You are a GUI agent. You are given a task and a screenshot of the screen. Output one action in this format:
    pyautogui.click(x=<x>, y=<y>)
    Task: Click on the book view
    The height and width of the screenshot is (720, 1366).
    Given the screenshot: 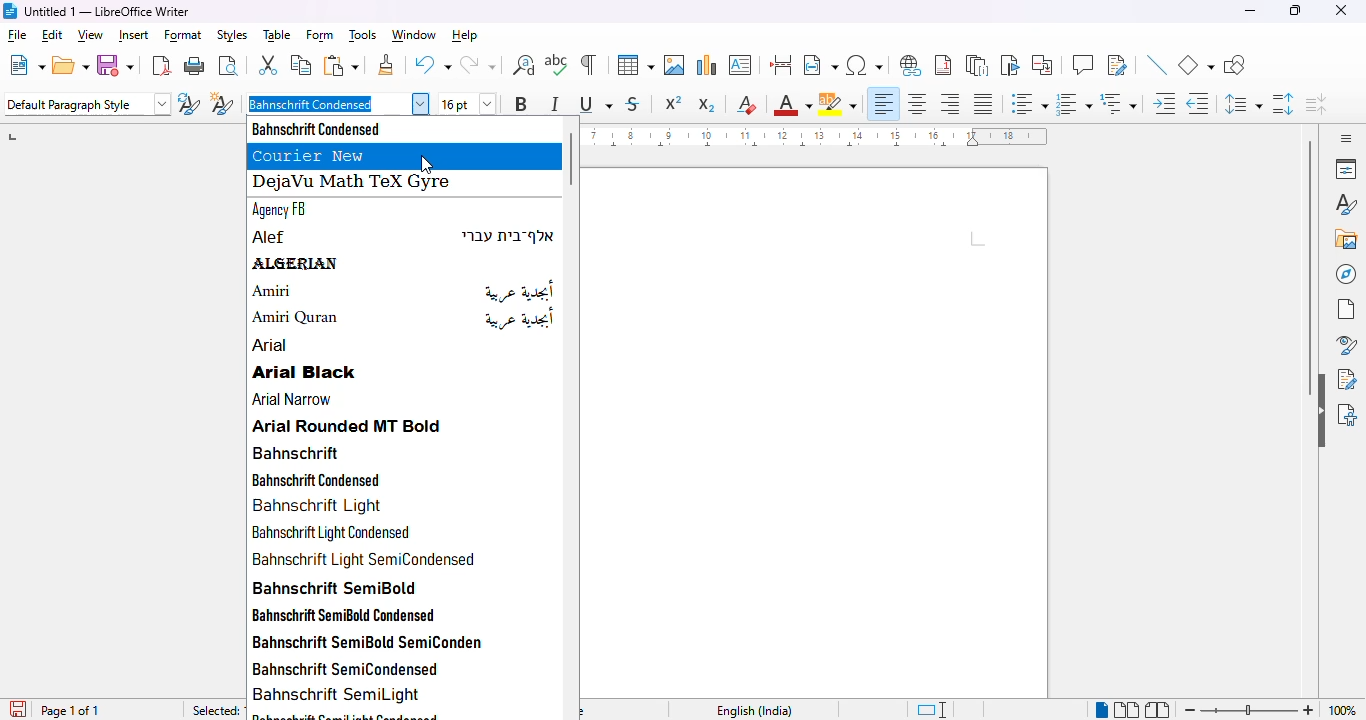 What is the action you would take?
    pyautogui.click(x=1159, y=709)
    